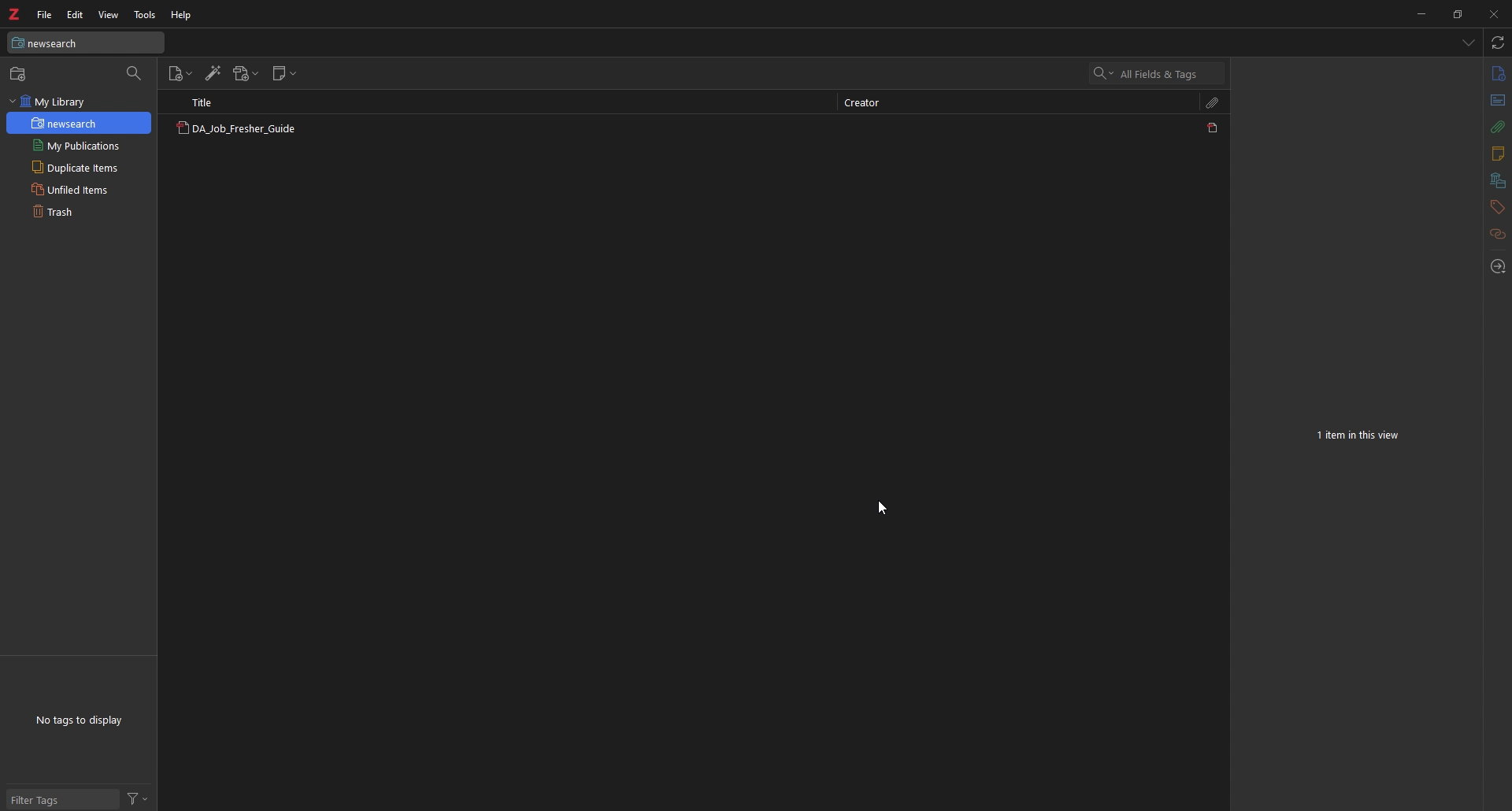 The width and height of the screenshot is (1512, 811). Describe the element at coordinates (1496, 154) in the screenshot. I see `note` at that location.